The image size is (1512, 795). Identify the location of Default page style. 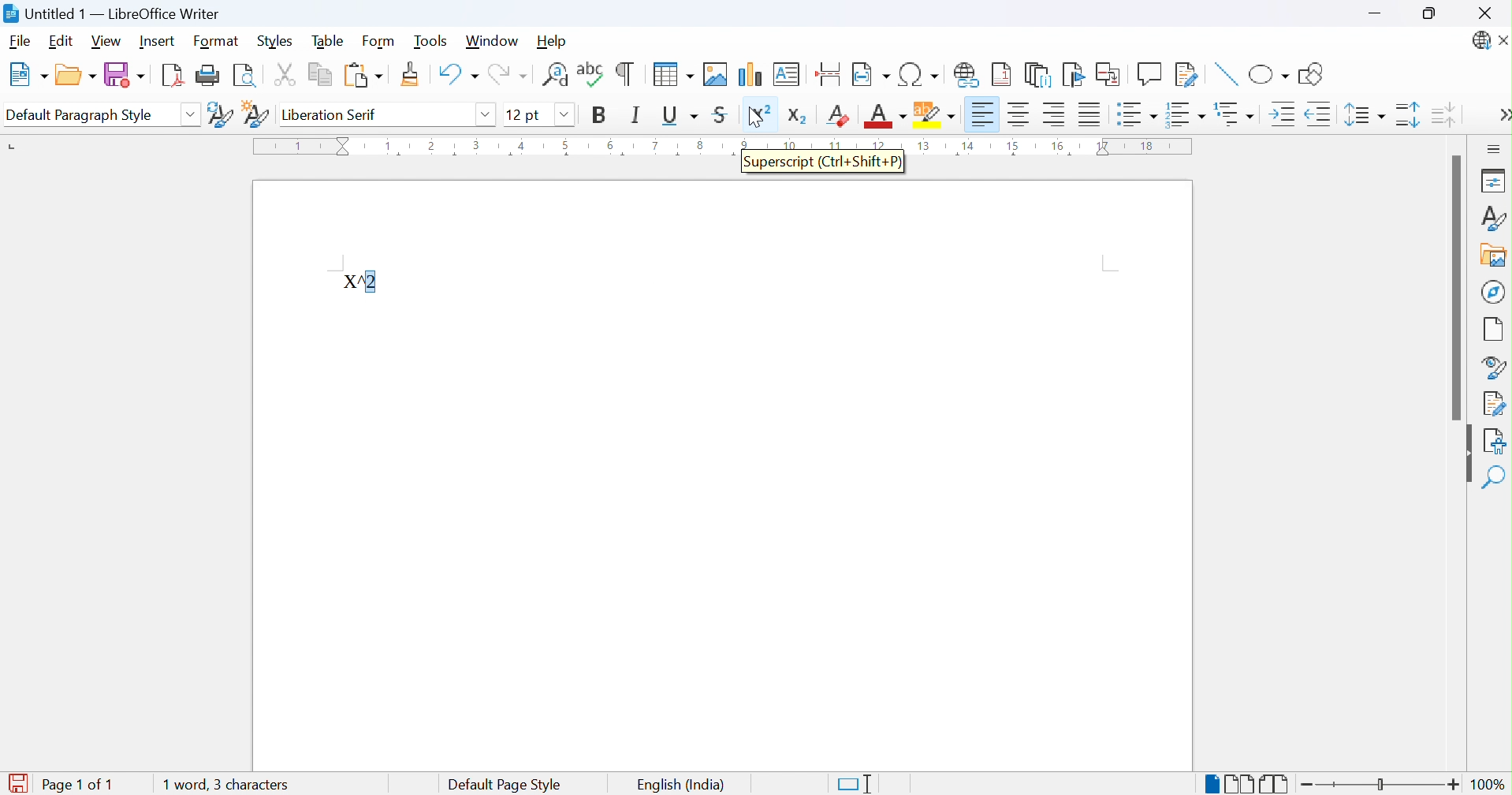
(503, 785).